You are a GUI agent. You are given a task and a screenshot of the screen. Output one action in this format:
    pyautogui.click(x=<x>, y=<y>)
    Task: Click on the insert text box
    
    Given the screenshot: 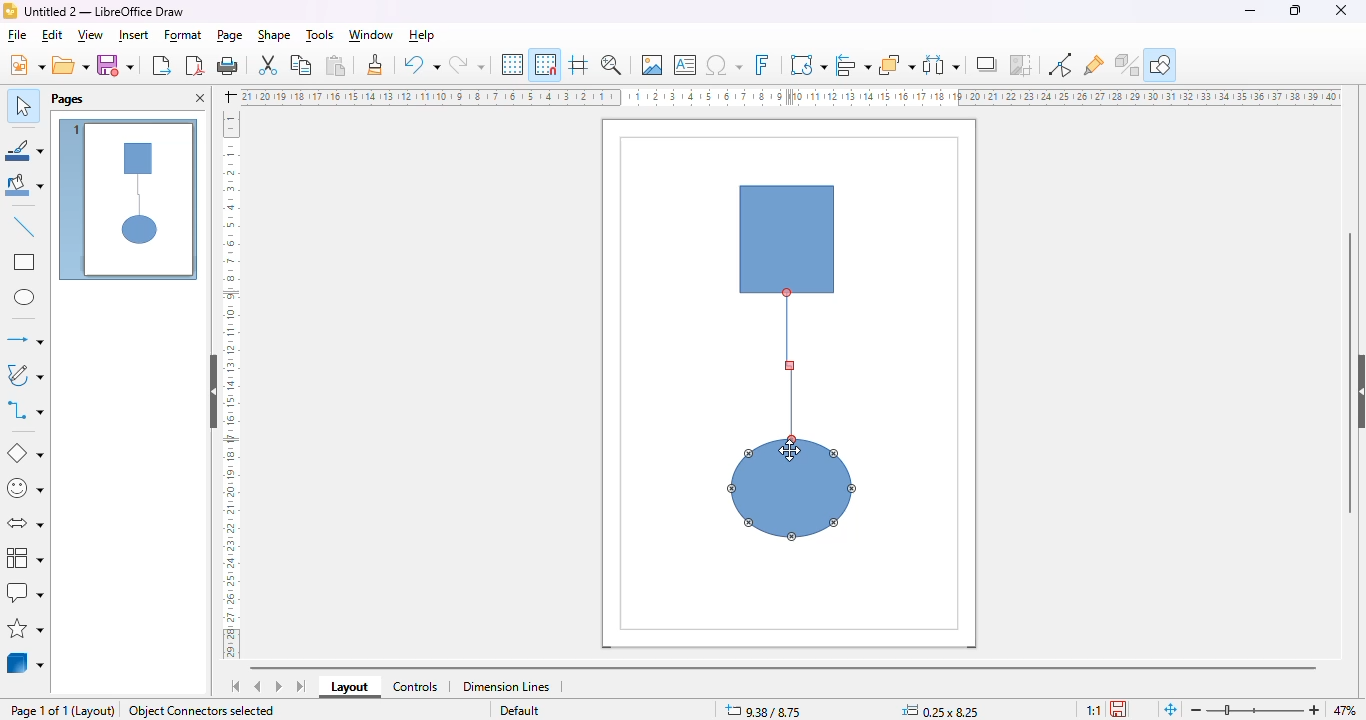 What is the action you would take?
    pyautogui.click(x=685, y=64)
    